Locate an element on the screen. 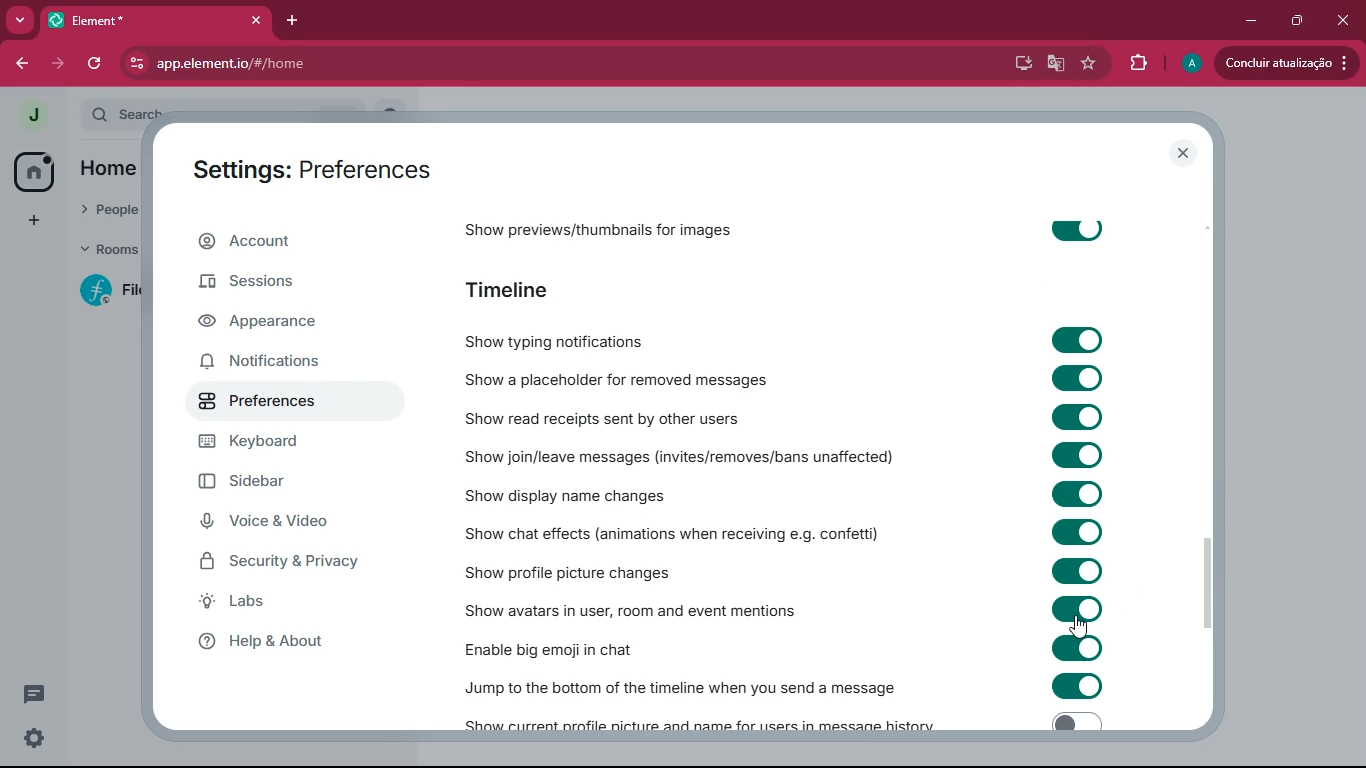  voice is located at coordinates (293, 526).